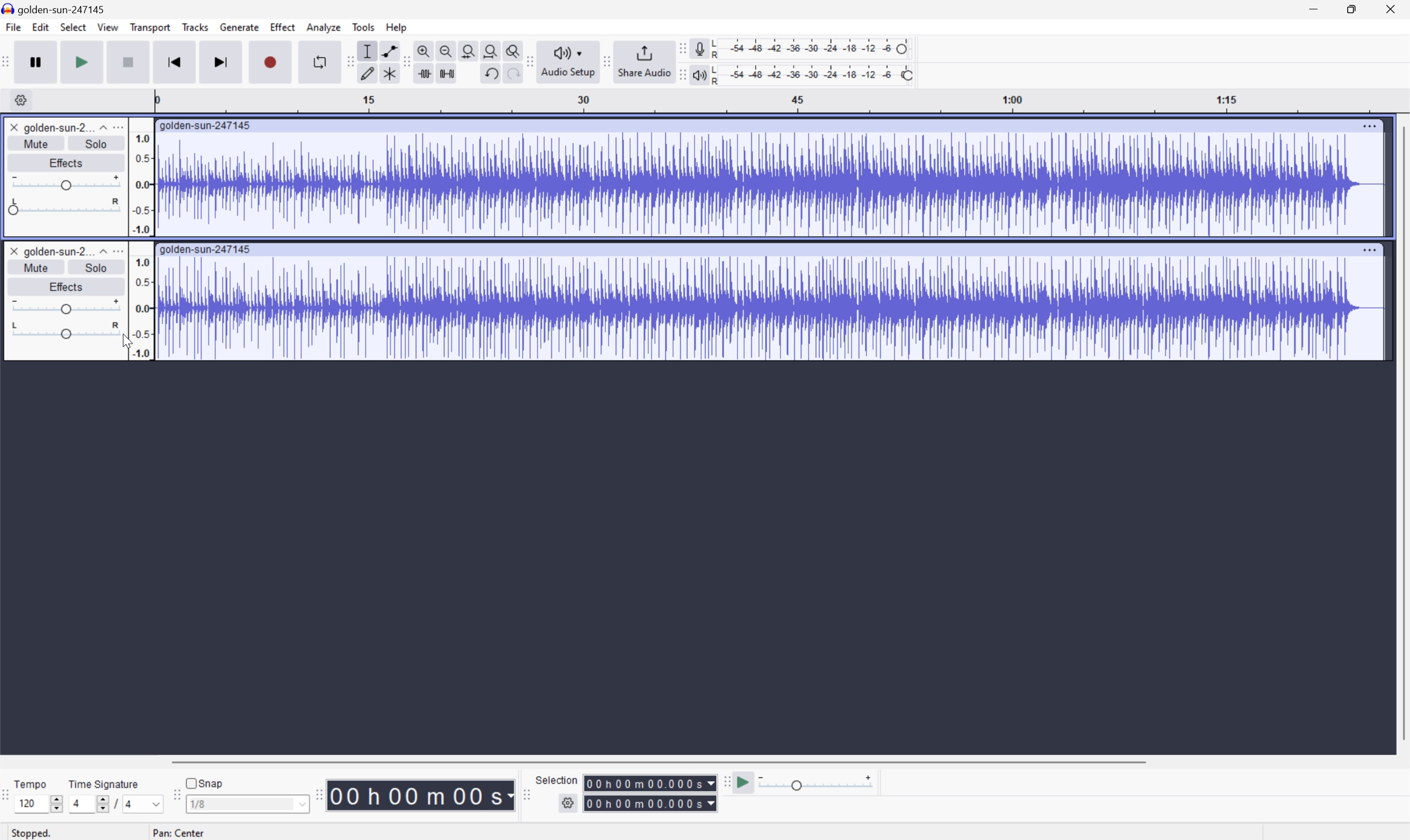 This screenshot has height=840, width=1410. Describe the element at coordinates (100, 253) in the screenshot. I see `Drop Down` at that location.